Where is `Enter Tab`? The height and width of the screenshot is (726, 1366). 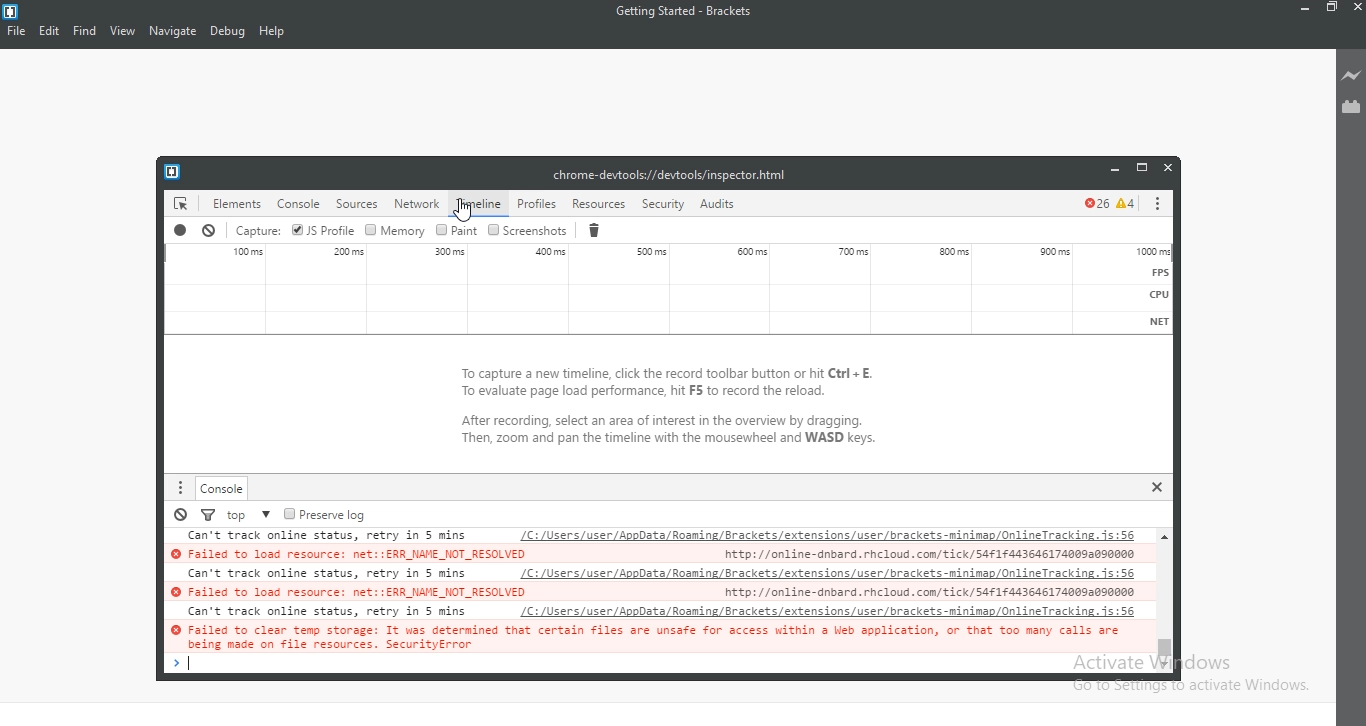
Enter Tab is located at coordinates (657, 662).